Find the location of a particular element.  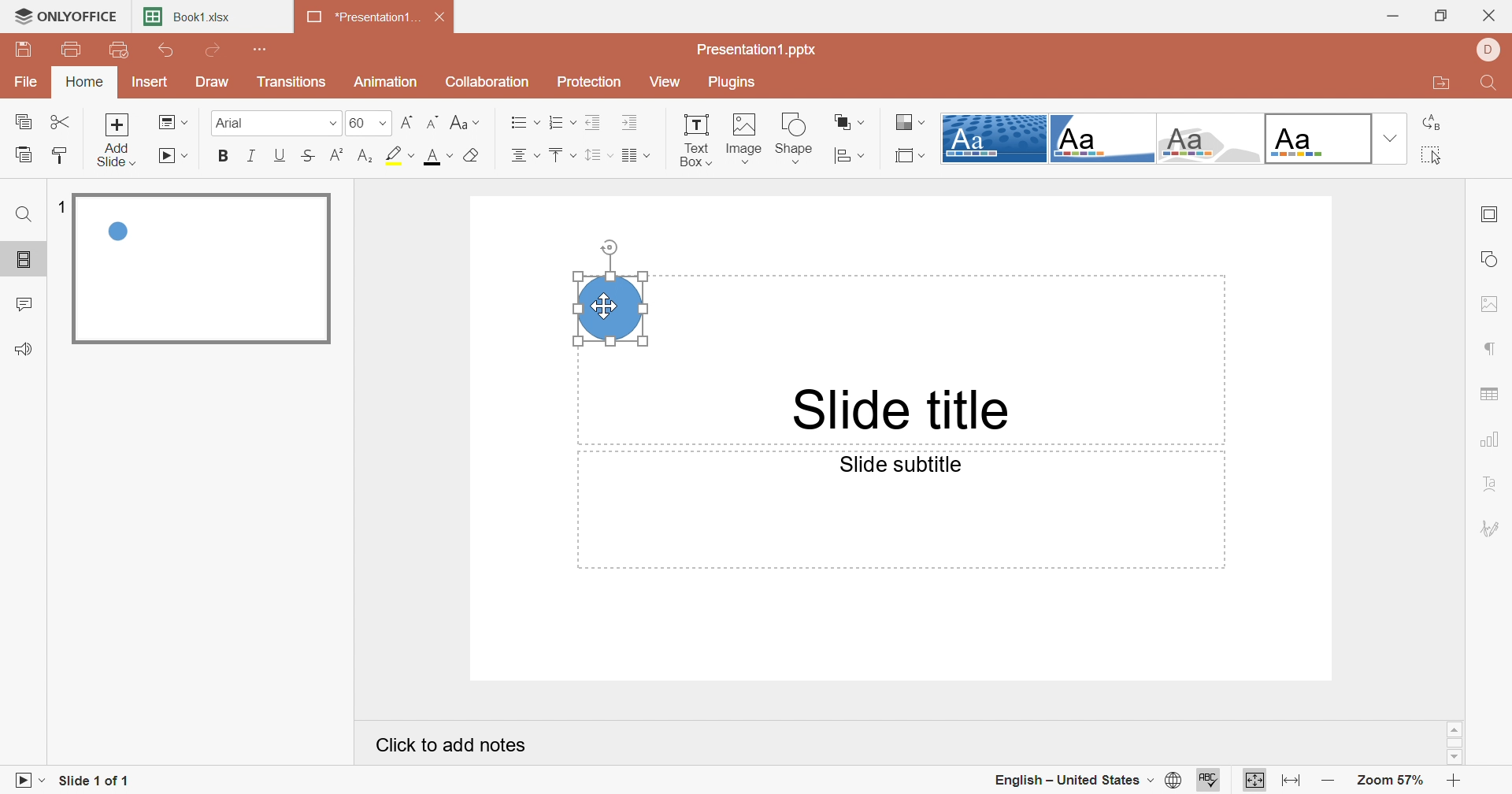

Slide 1 of 1 is located at coordinates (94, 782).